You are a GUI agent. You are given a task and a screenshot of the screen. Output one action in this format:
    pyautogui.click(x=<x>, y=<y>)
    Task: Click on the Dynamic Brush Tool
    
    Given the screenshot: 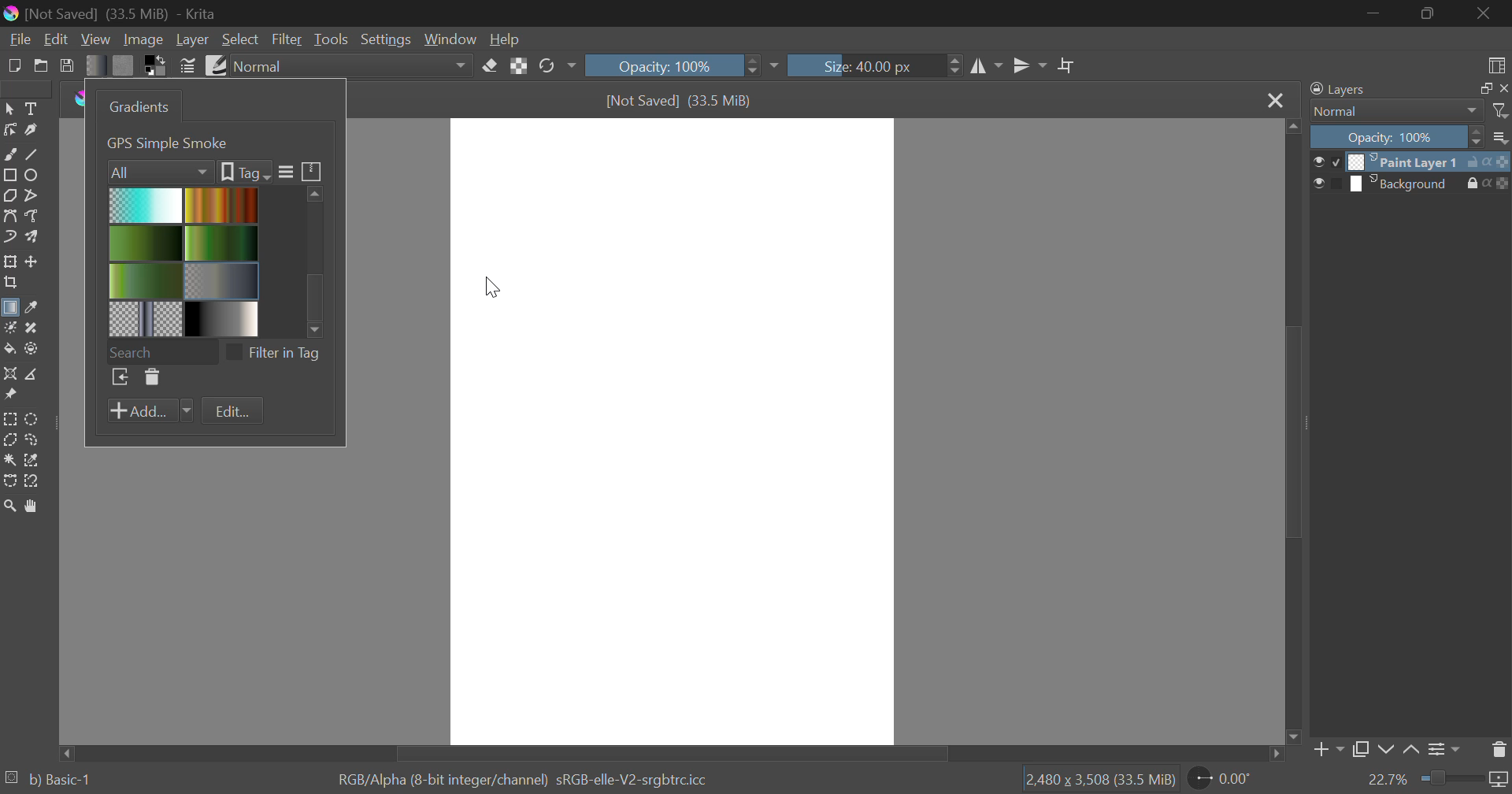 What is the action you would take?
    pyautogui.click(x=9, y=238)
    